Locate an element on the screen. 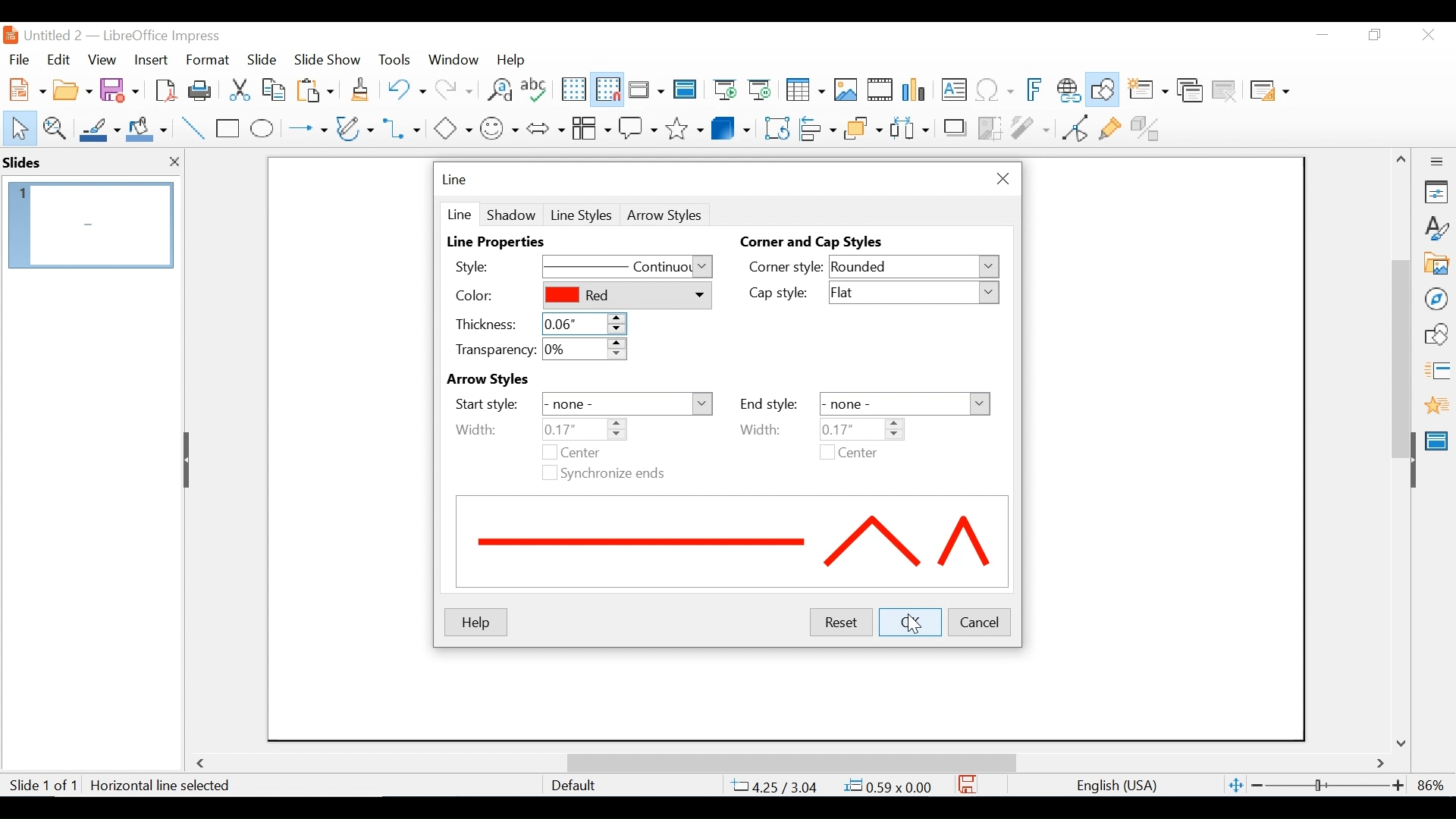 The height and width of the screenshot is (819, 1456). -none- is located at coordinates (905, 403).